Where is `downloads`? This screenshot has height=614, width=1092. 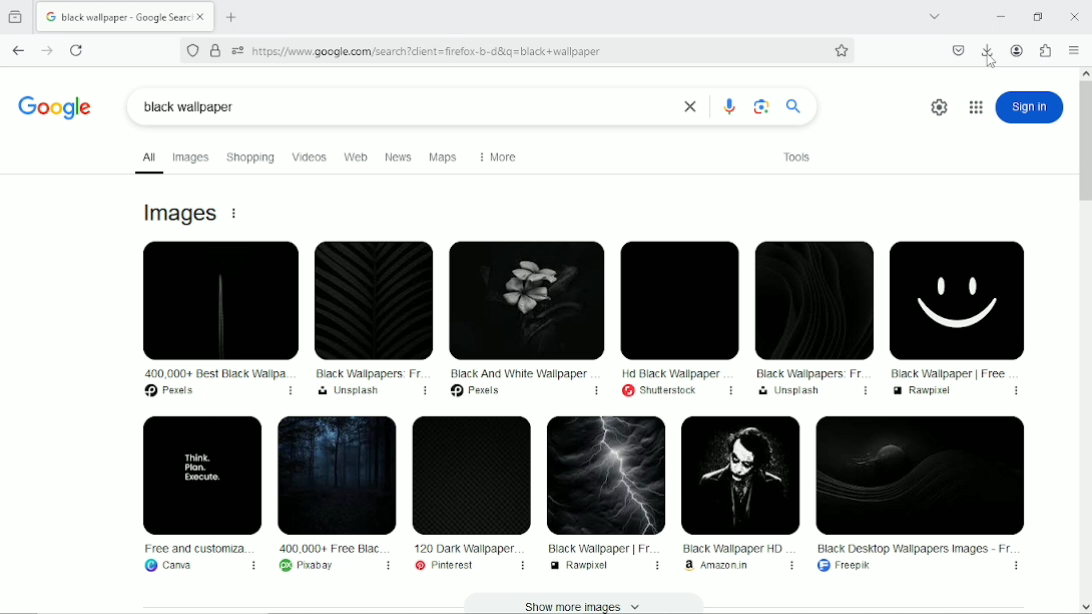
downloads is located at coordinates (989, 53).